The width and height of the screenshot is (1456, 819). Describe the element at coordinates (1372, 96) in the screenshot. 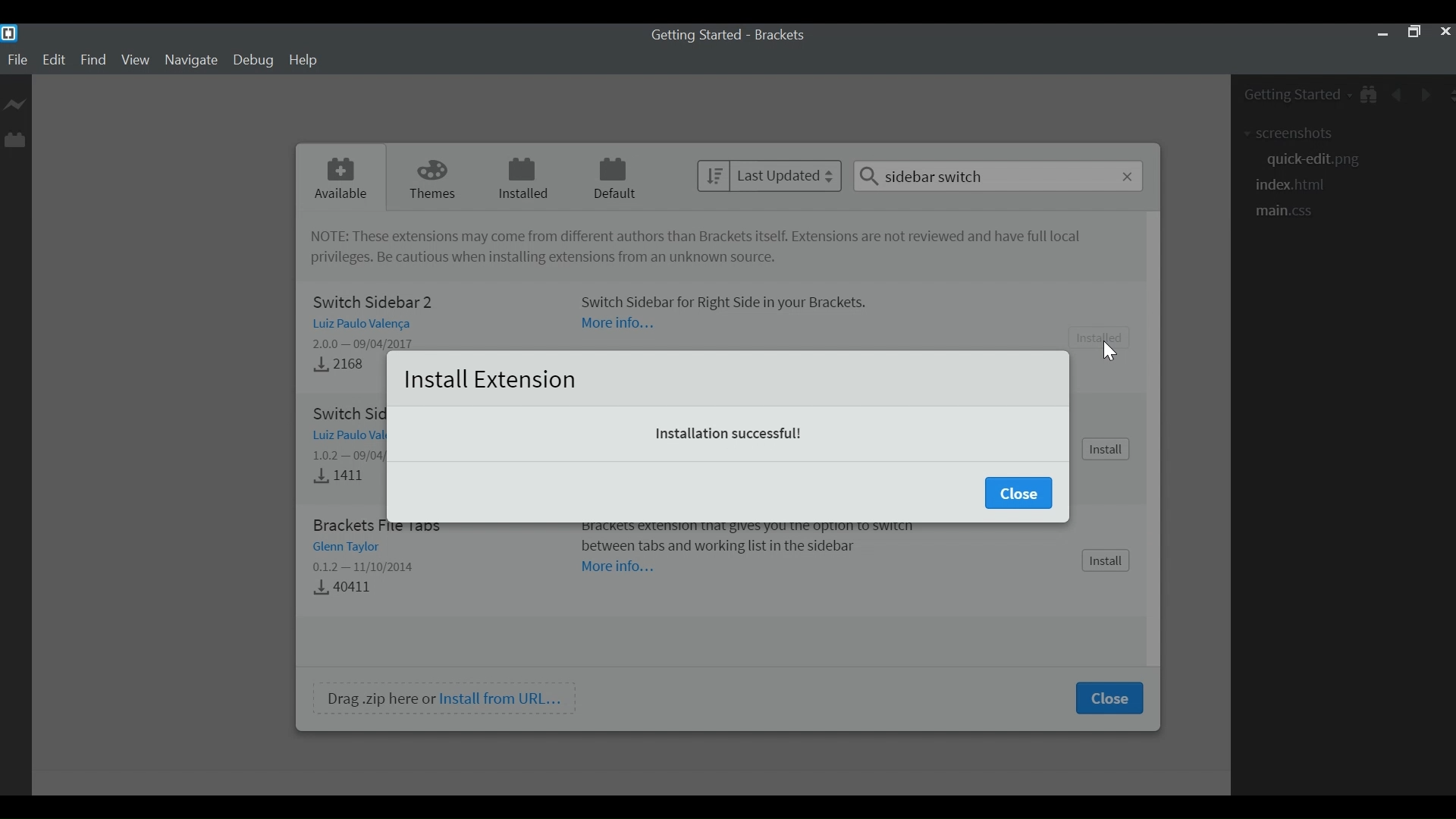

I see `Show in File Tree` at that location.